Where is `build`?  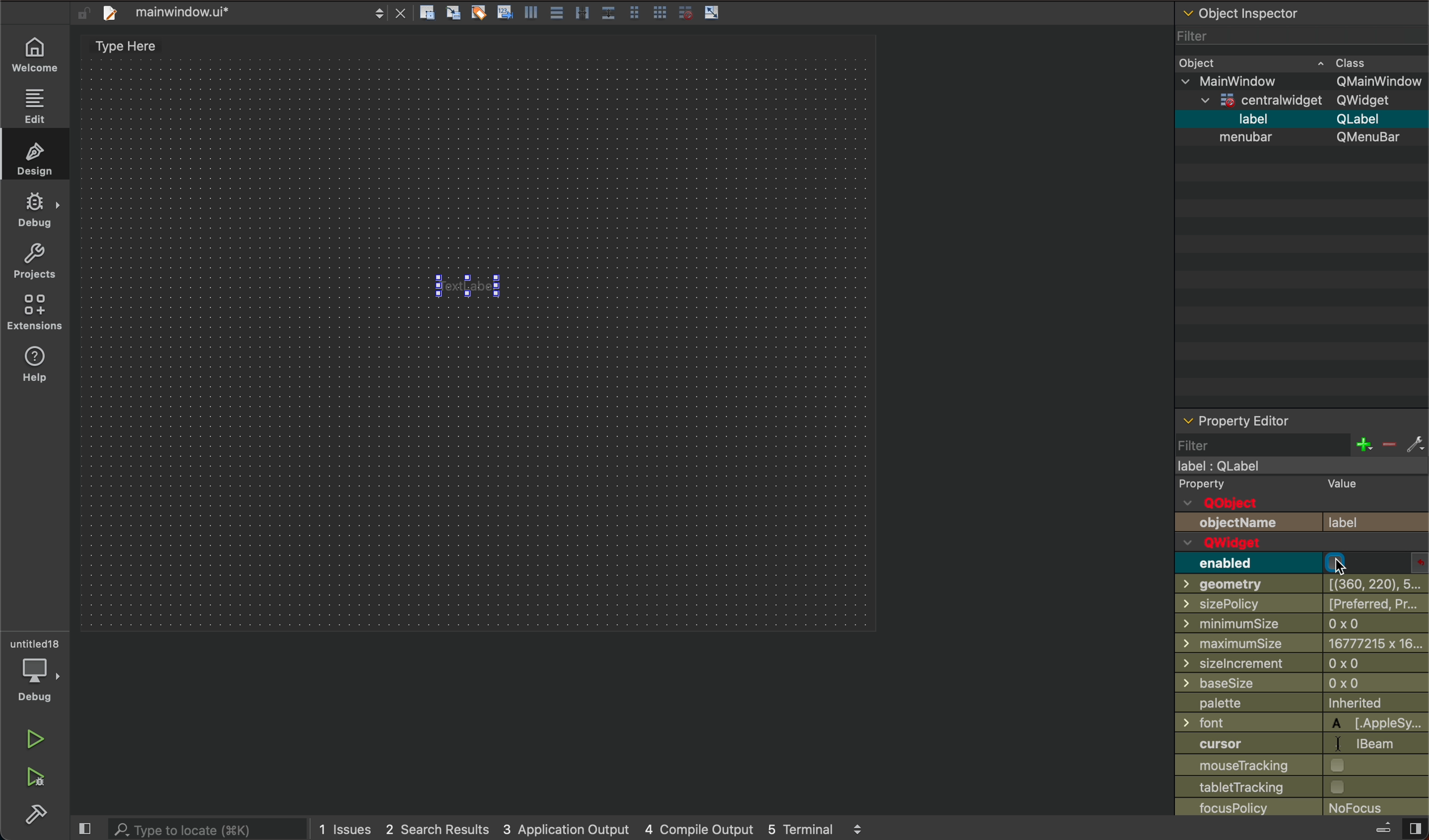 build is located at coordinates (34, 816).